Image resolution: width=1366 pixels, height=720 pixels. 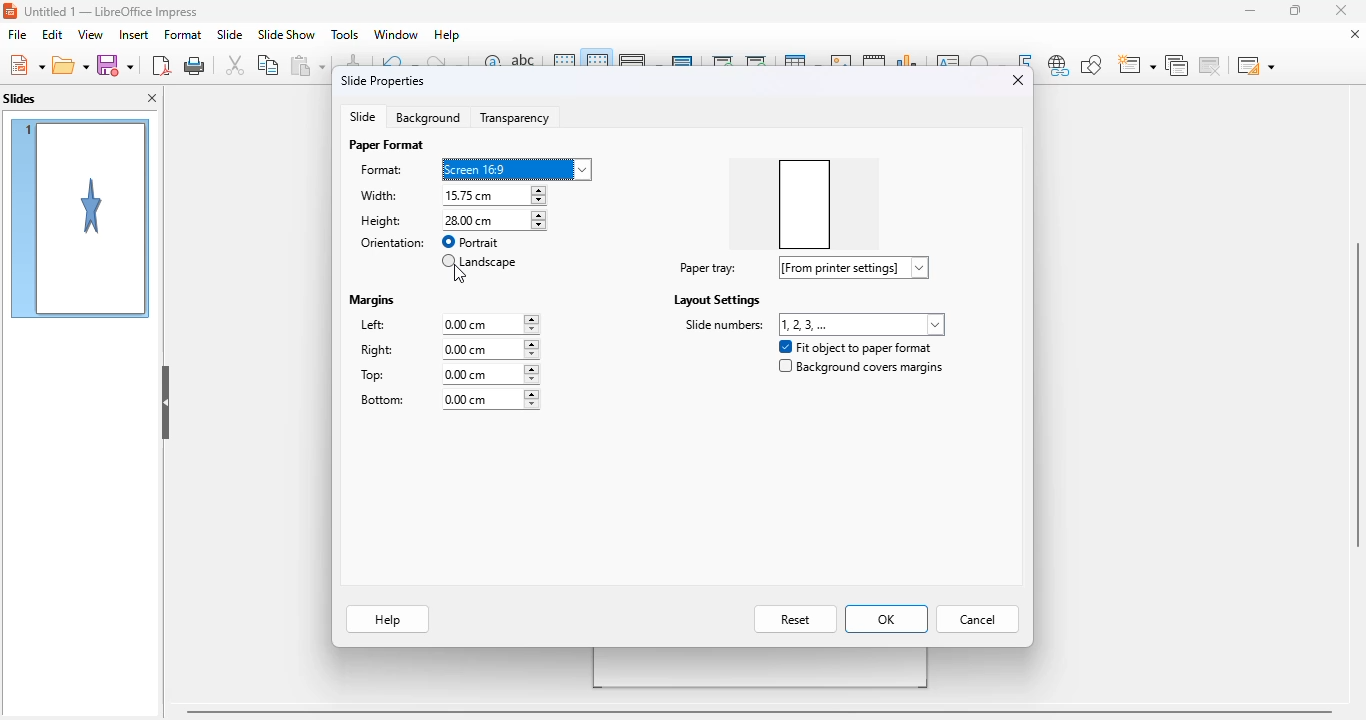 I want to click on tools, so click(x=345, y=34).